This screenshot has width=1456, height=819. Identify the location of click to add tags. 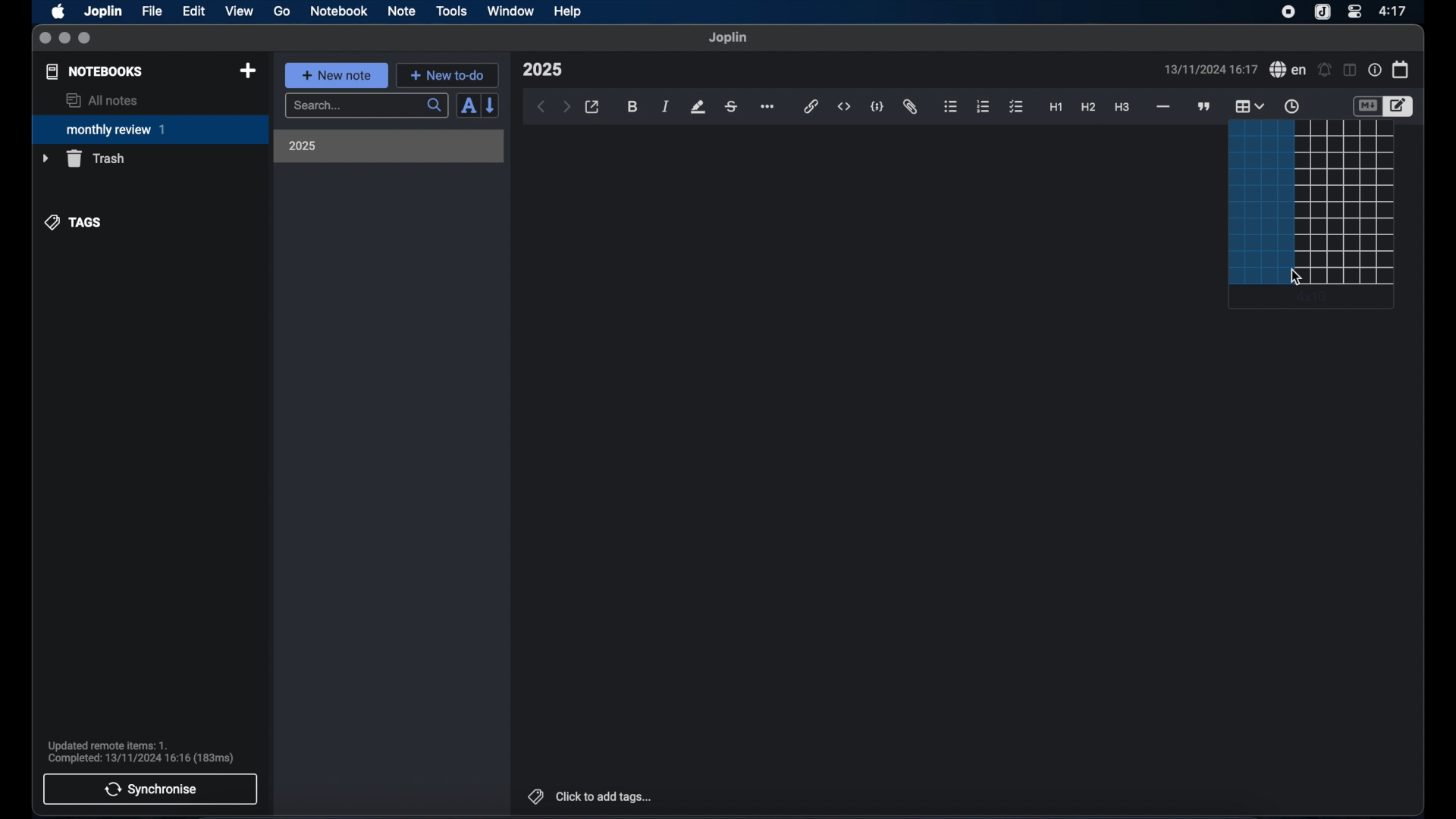
(591, 796).